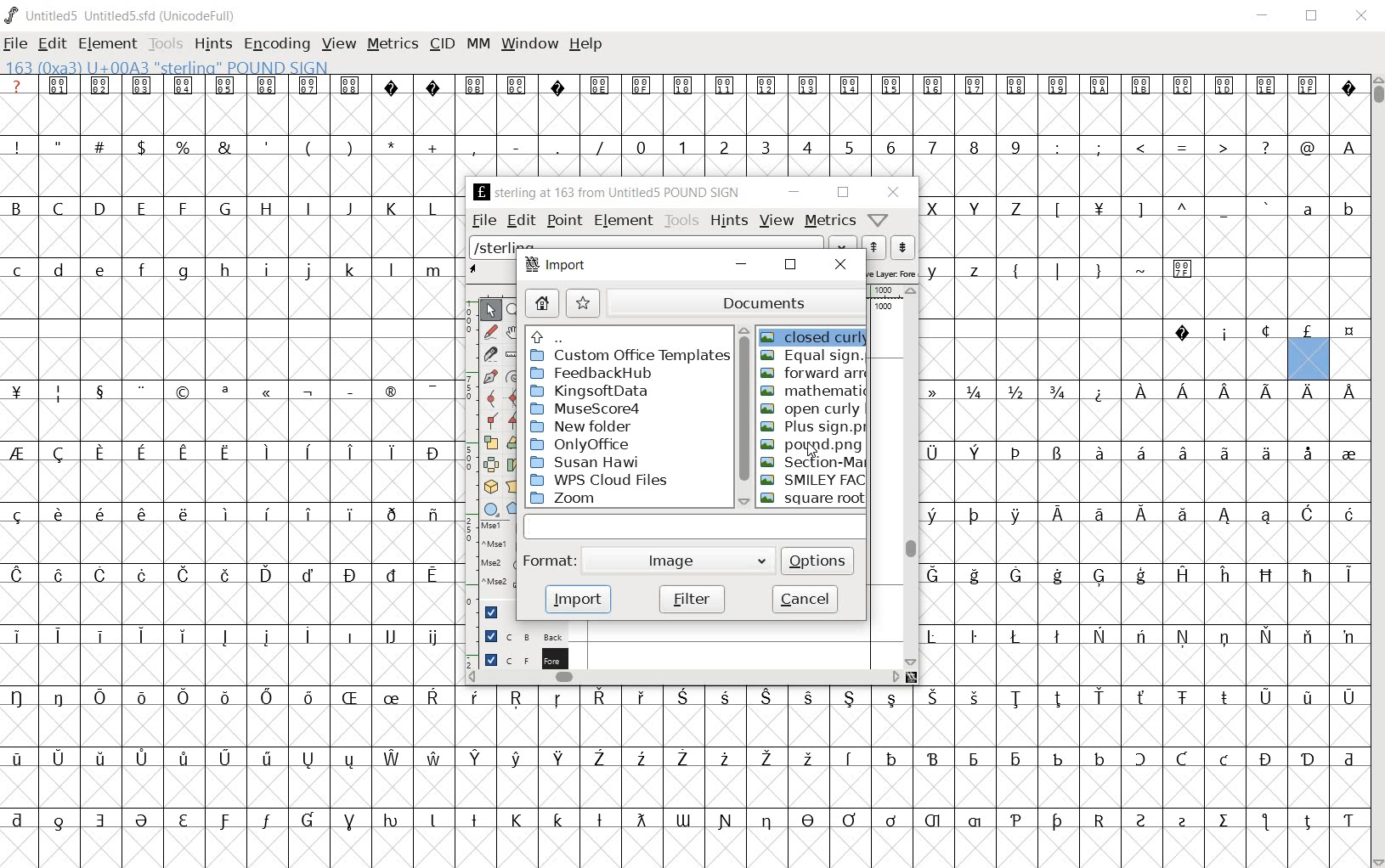 Image resolution: width=1385 pixels, height=868 pixels. What do you see at coordinates (432, 516) in the screenshot?
I see `Symbol` at bounding box center [432, 516].